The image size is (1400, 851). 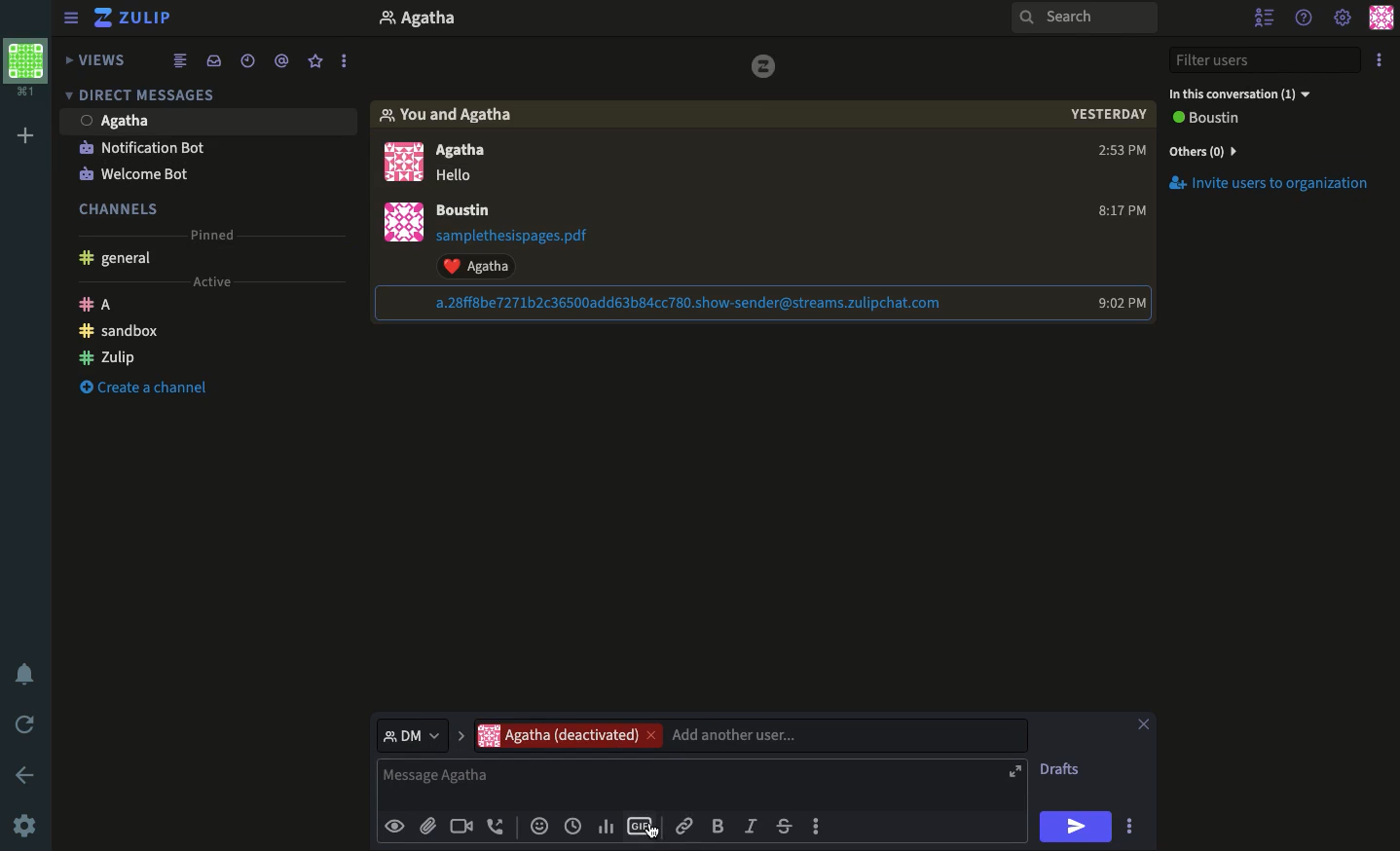 I want to click on Refresh, so click(x=24, y=723).